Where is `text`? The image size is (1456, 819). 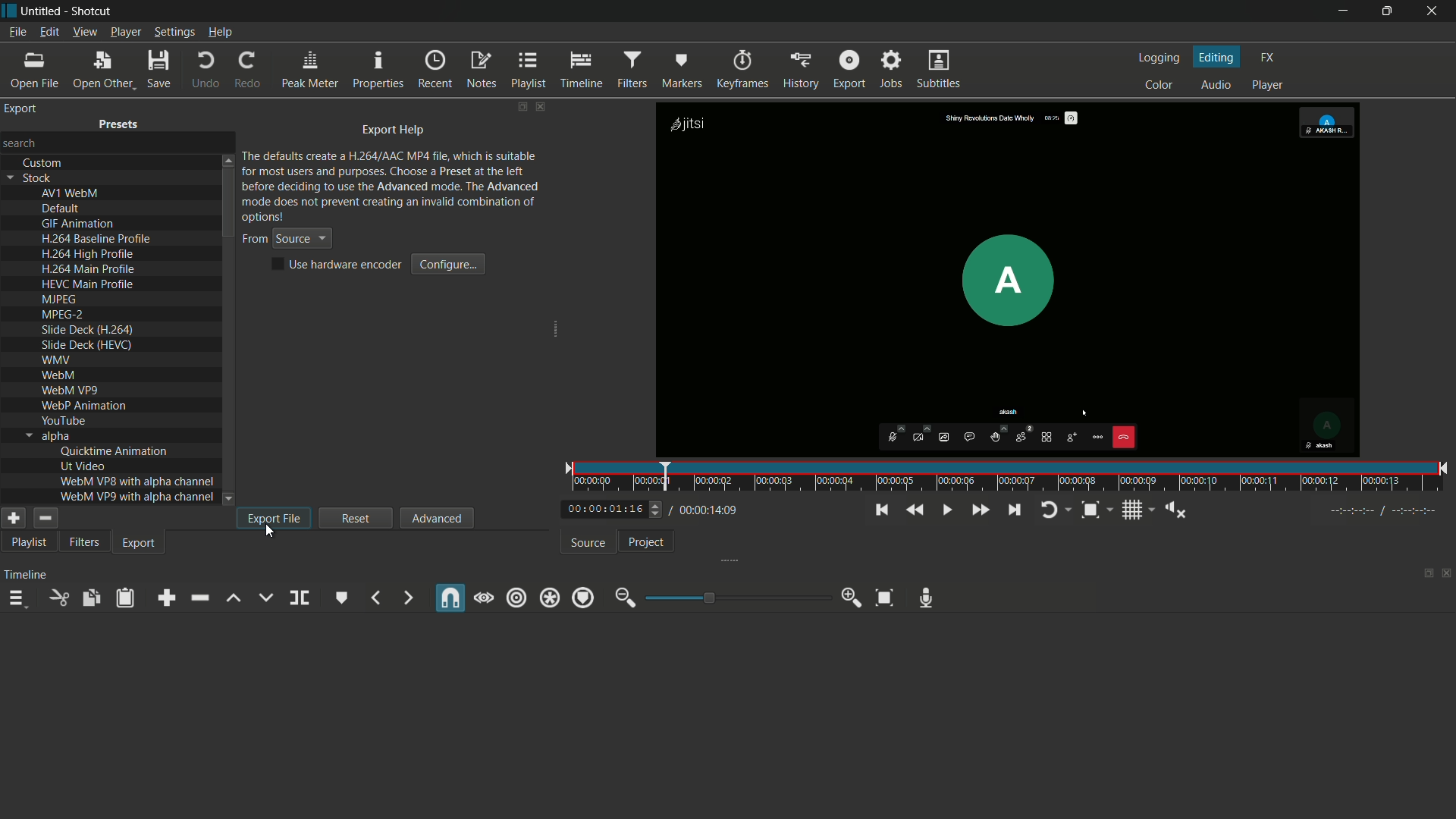 text is located at coordinates (89, 269).